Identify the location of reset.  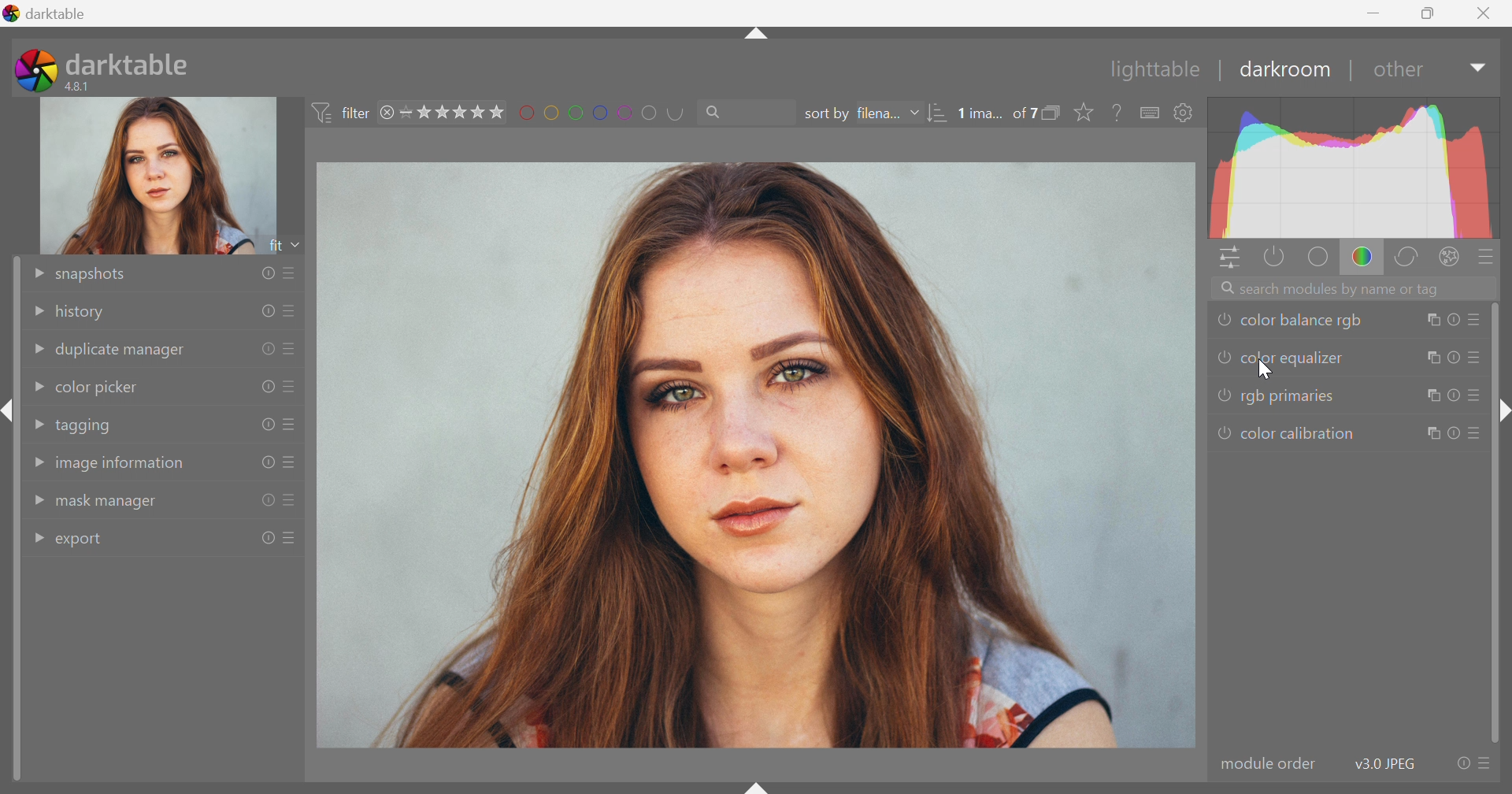
(269, 274).